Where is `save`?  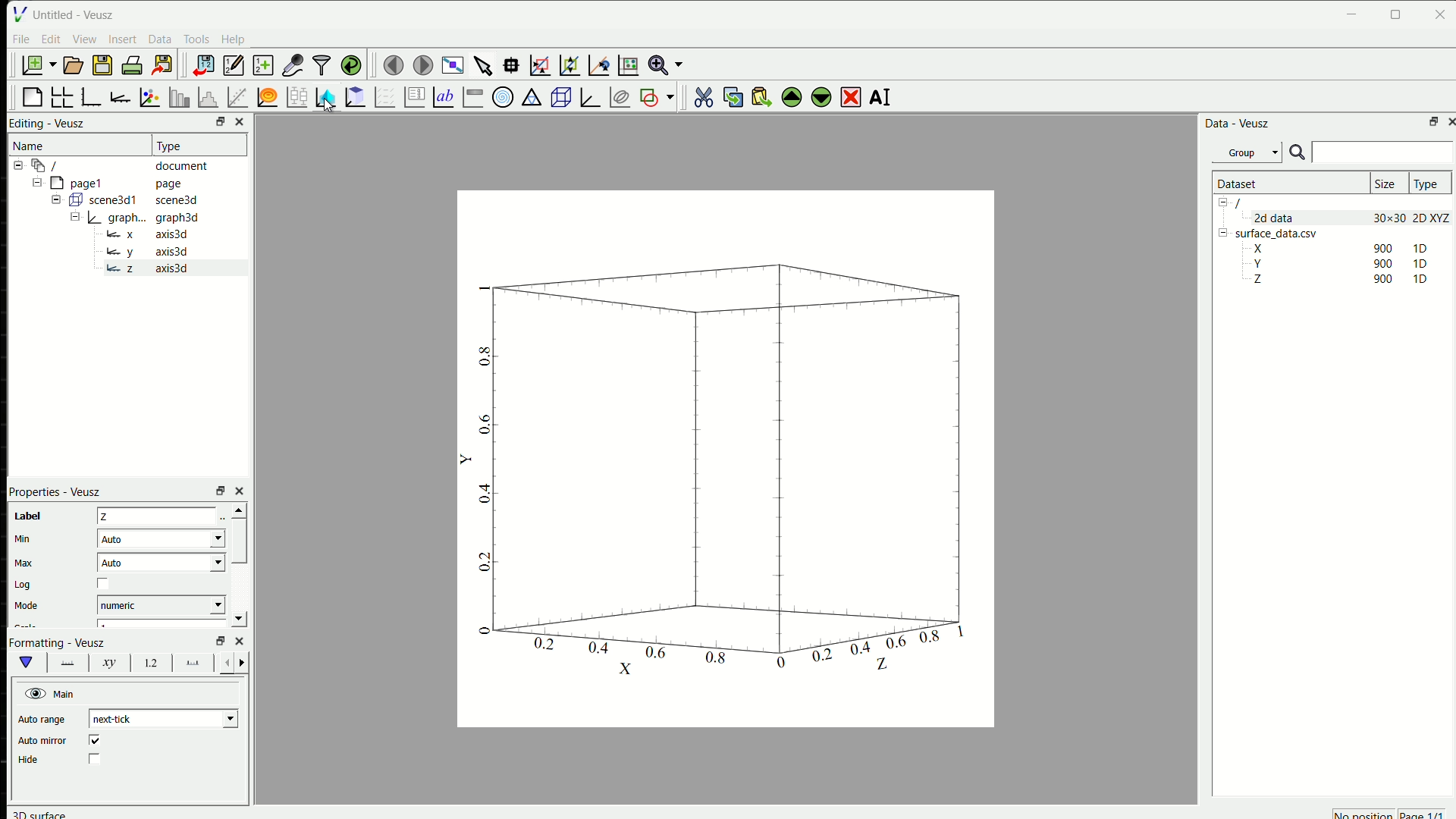 save is located at coordinates (104, 65).